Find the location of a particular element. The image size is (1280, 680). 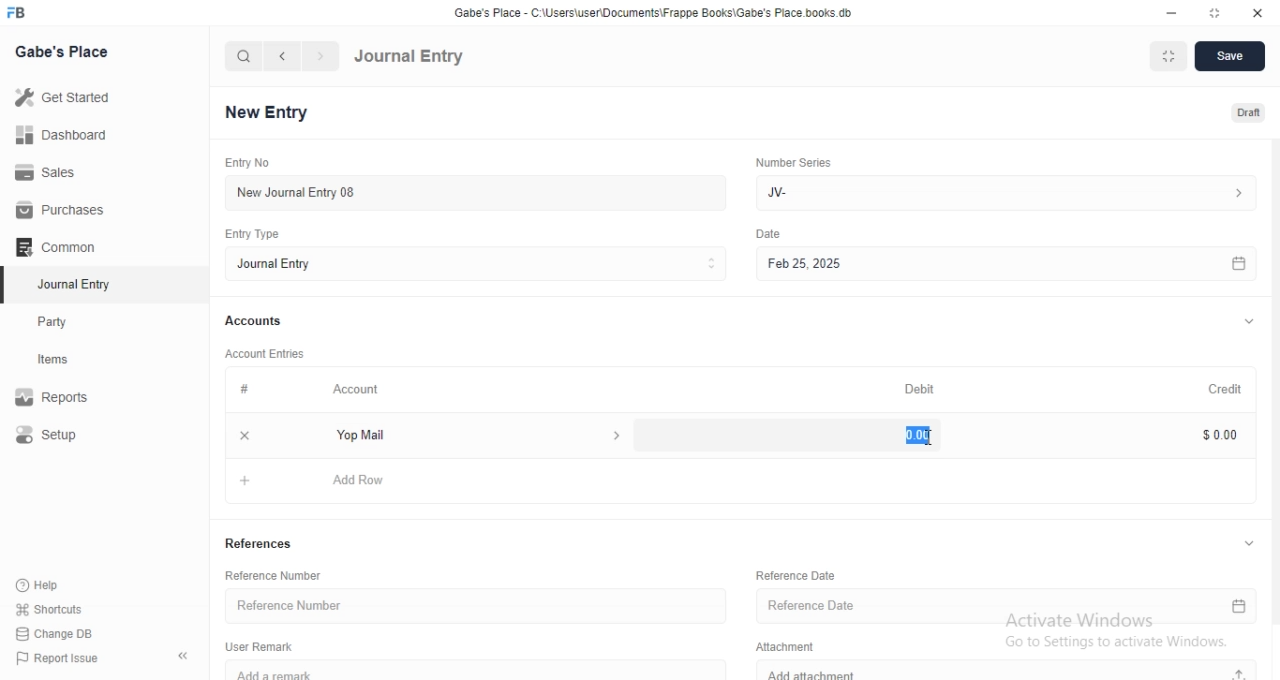

Purchases is located at coordinates (58, 210).